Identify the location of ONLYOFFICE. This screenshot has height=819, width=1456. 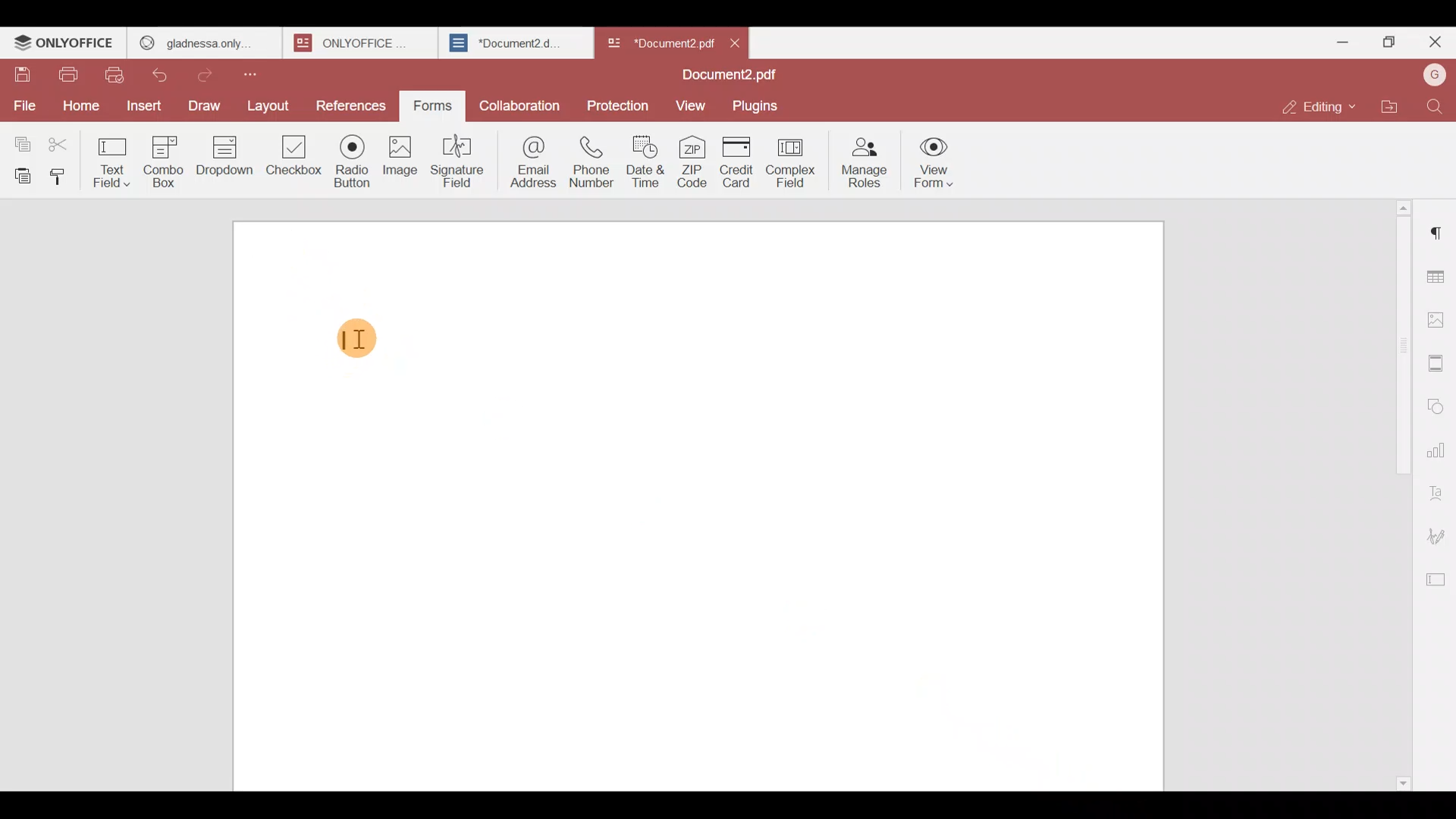
(64, 42).